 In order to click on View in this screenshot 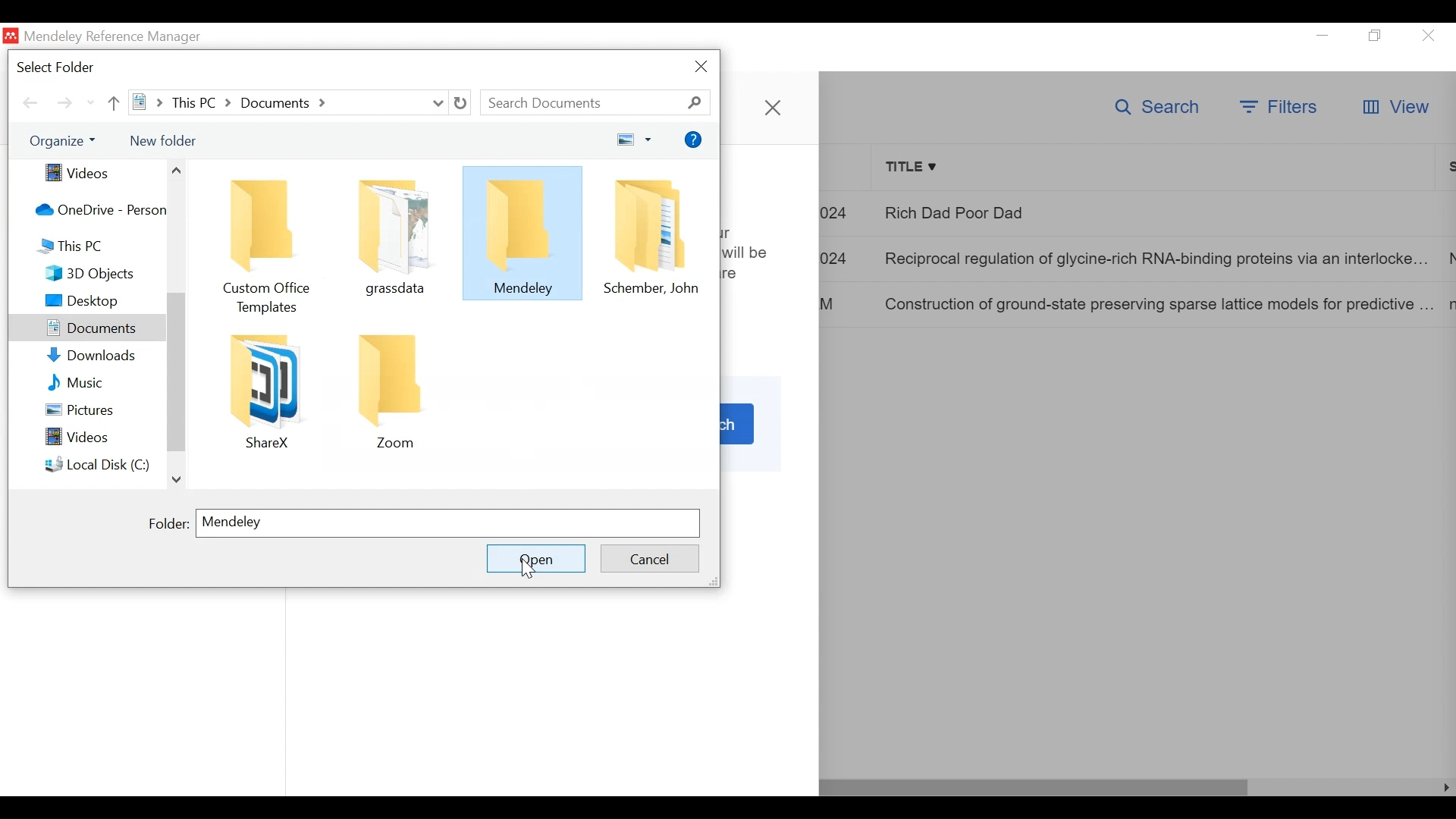, I will do `click(1395, 108)`.